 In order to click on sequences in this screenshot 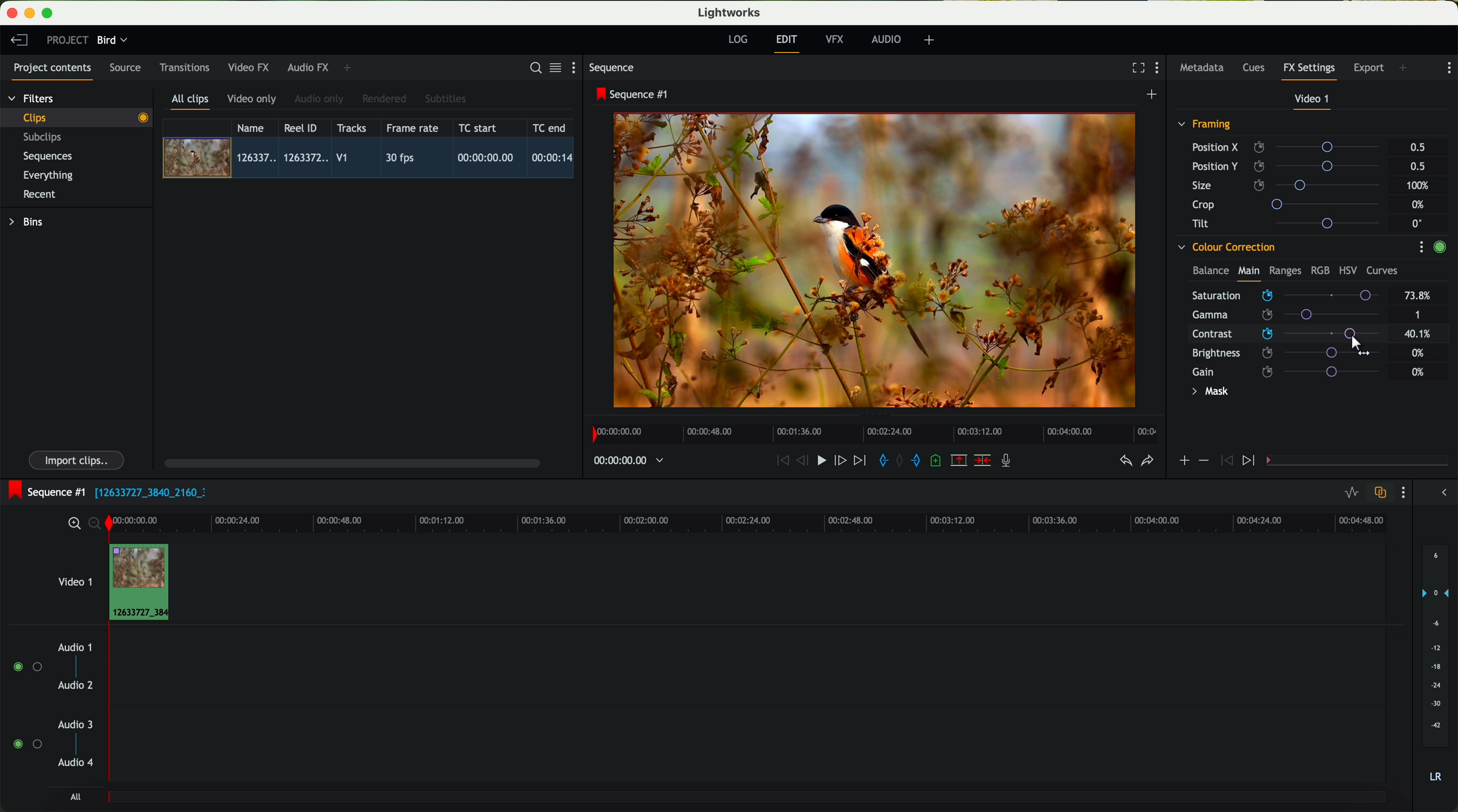, I will do `click(48, 157)`.